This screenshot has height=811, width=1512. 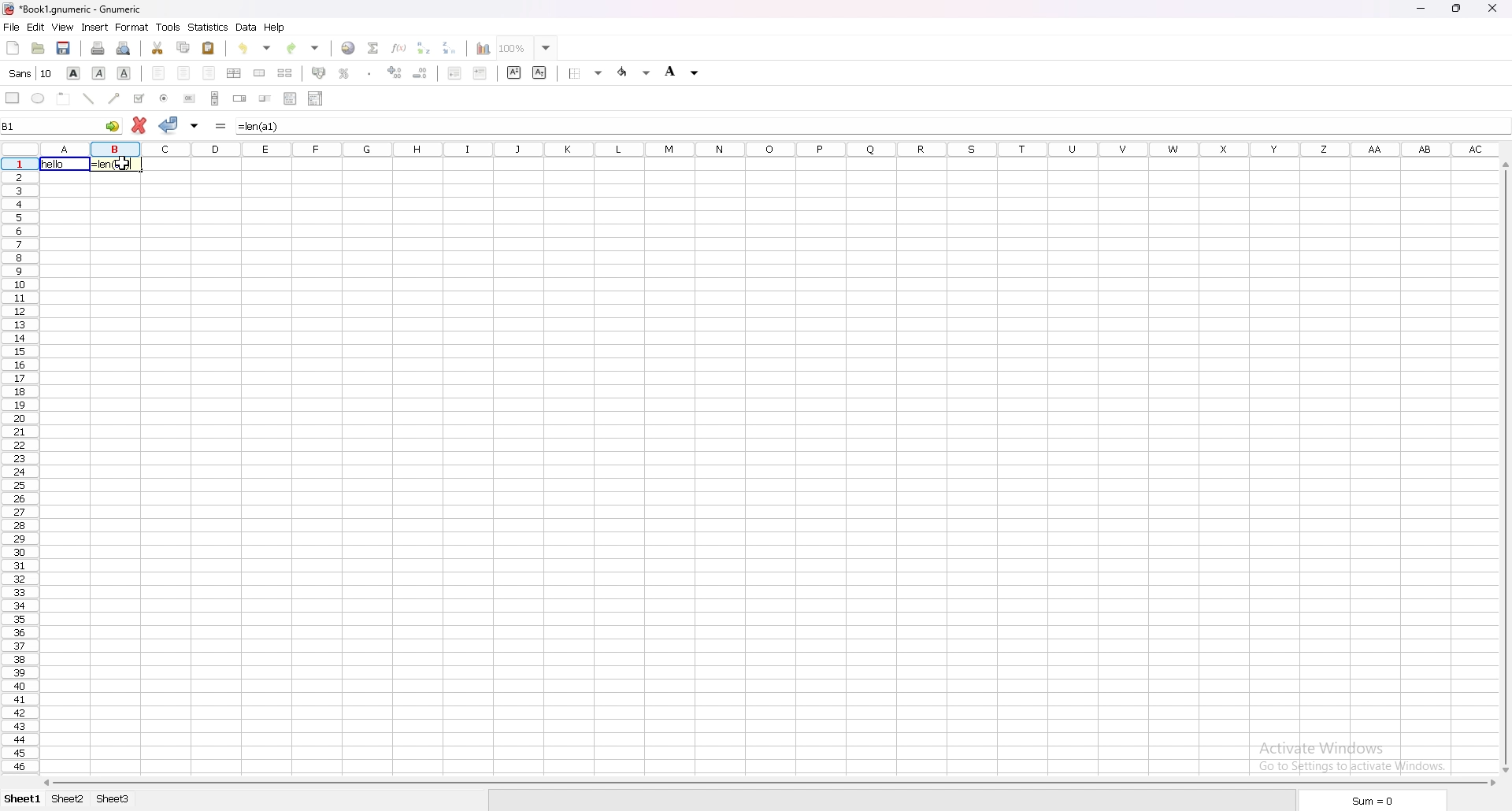 What do you see at coordinates (112, 799) in the screenshot?
I see `tab` at bounding box center [112, 799].